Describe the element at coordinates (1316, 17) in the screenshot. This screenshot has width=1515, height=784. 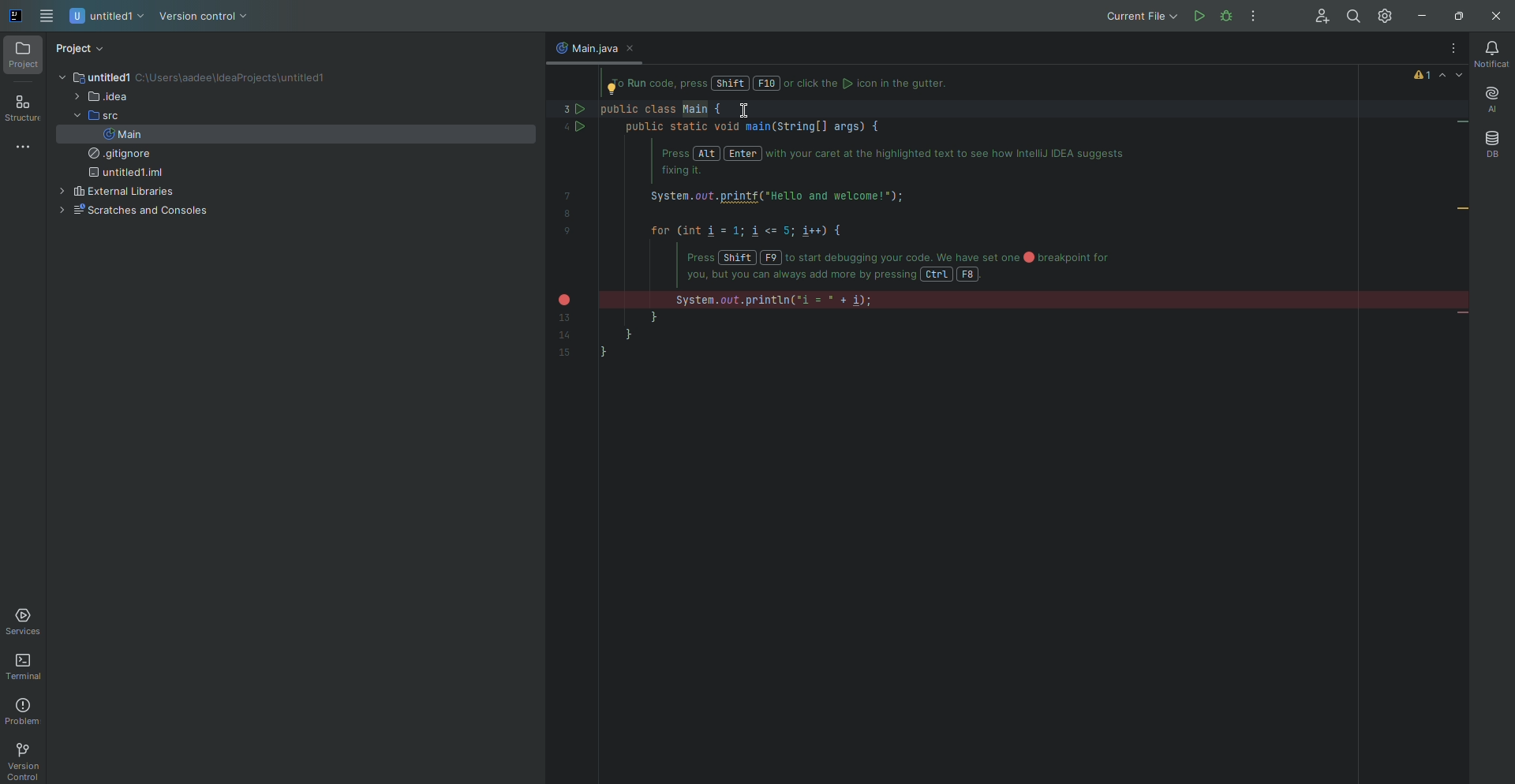
I see `Code With Me` at that location.